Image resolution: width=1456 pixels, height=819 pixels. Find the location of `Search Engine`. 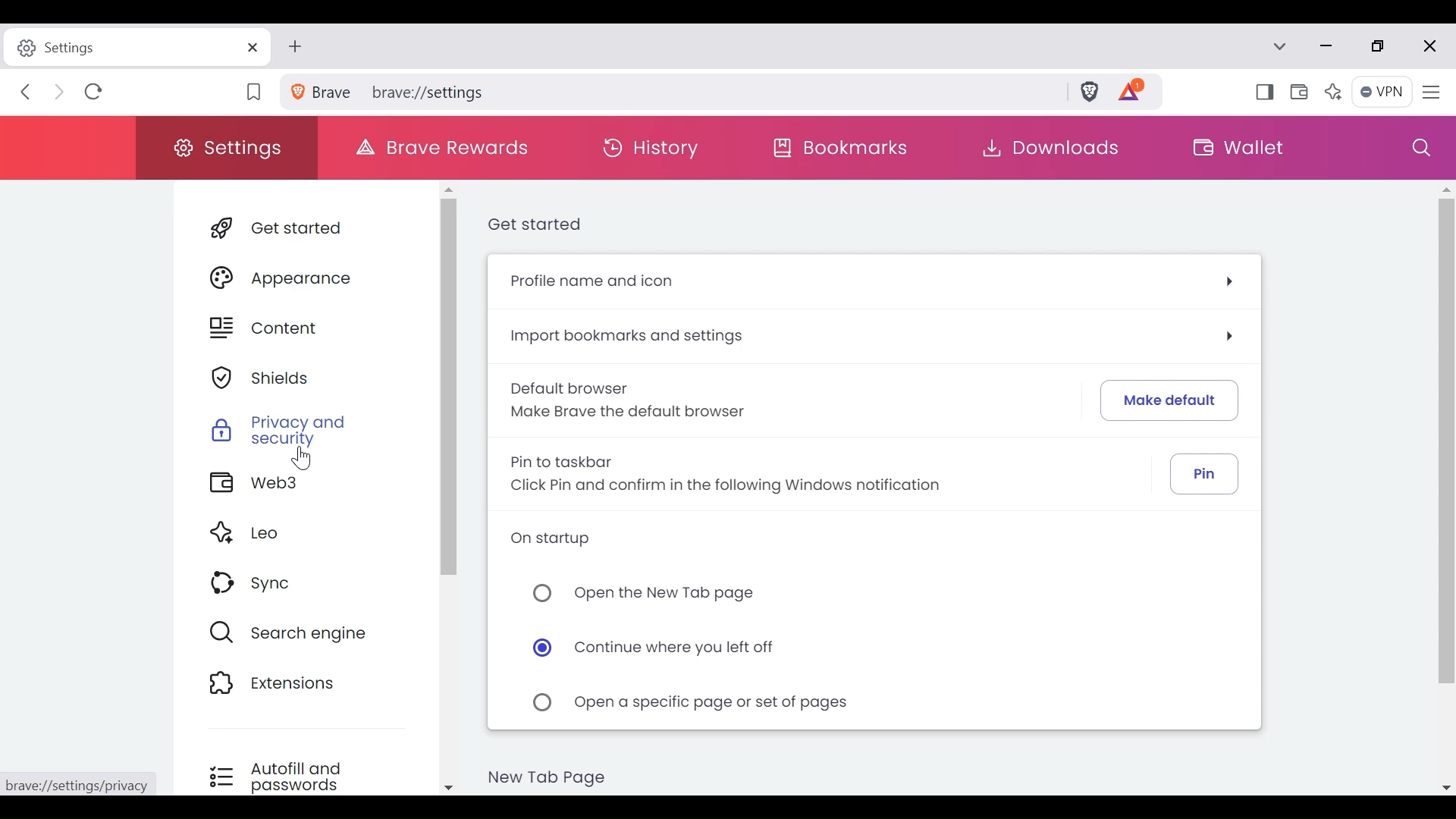

Search Engine is located at coordinates (298, 632).